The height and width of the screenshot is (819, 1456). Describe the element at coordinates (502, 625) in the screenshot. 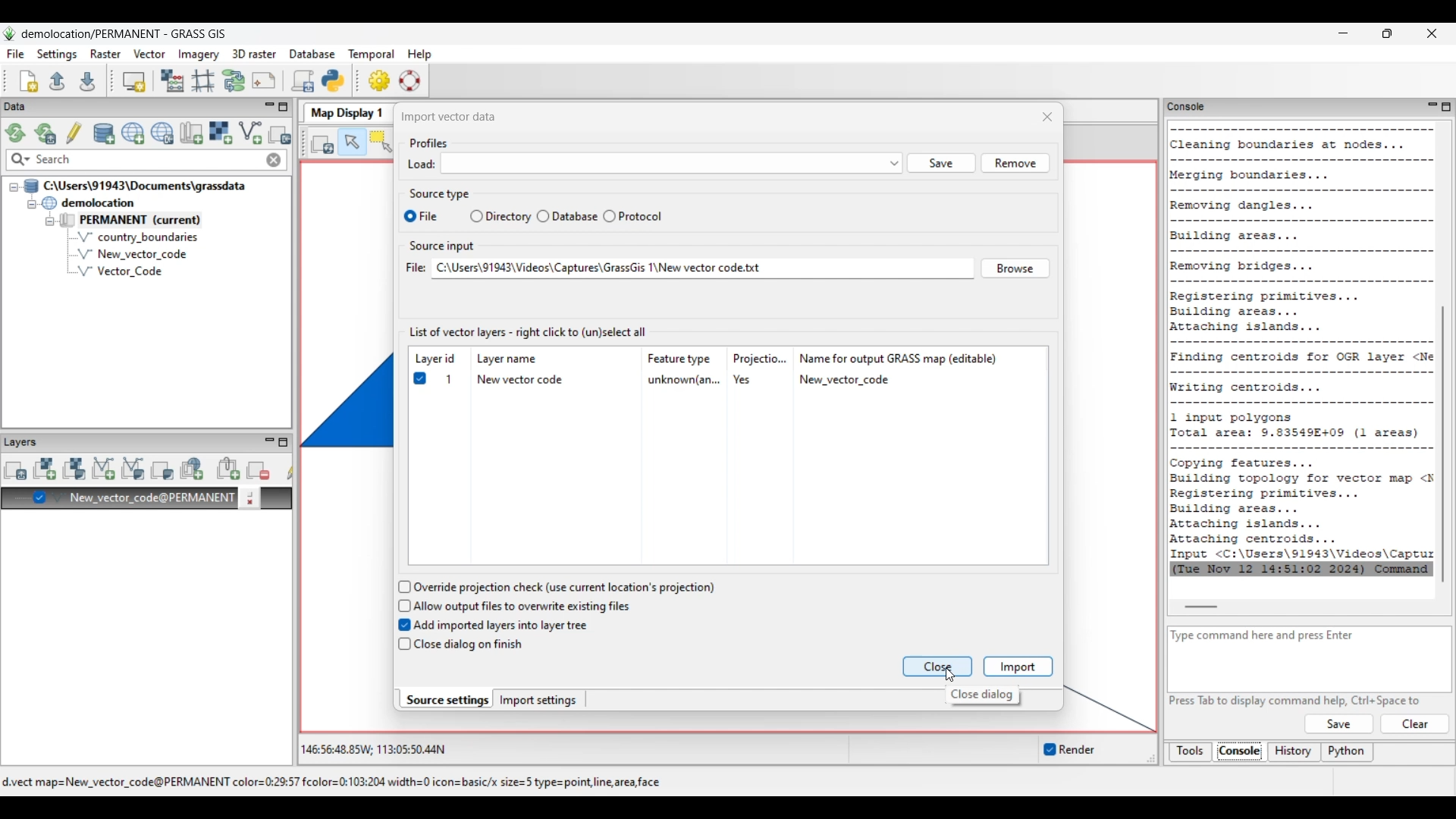

I see `Add imported layers into layer tree` at that location.